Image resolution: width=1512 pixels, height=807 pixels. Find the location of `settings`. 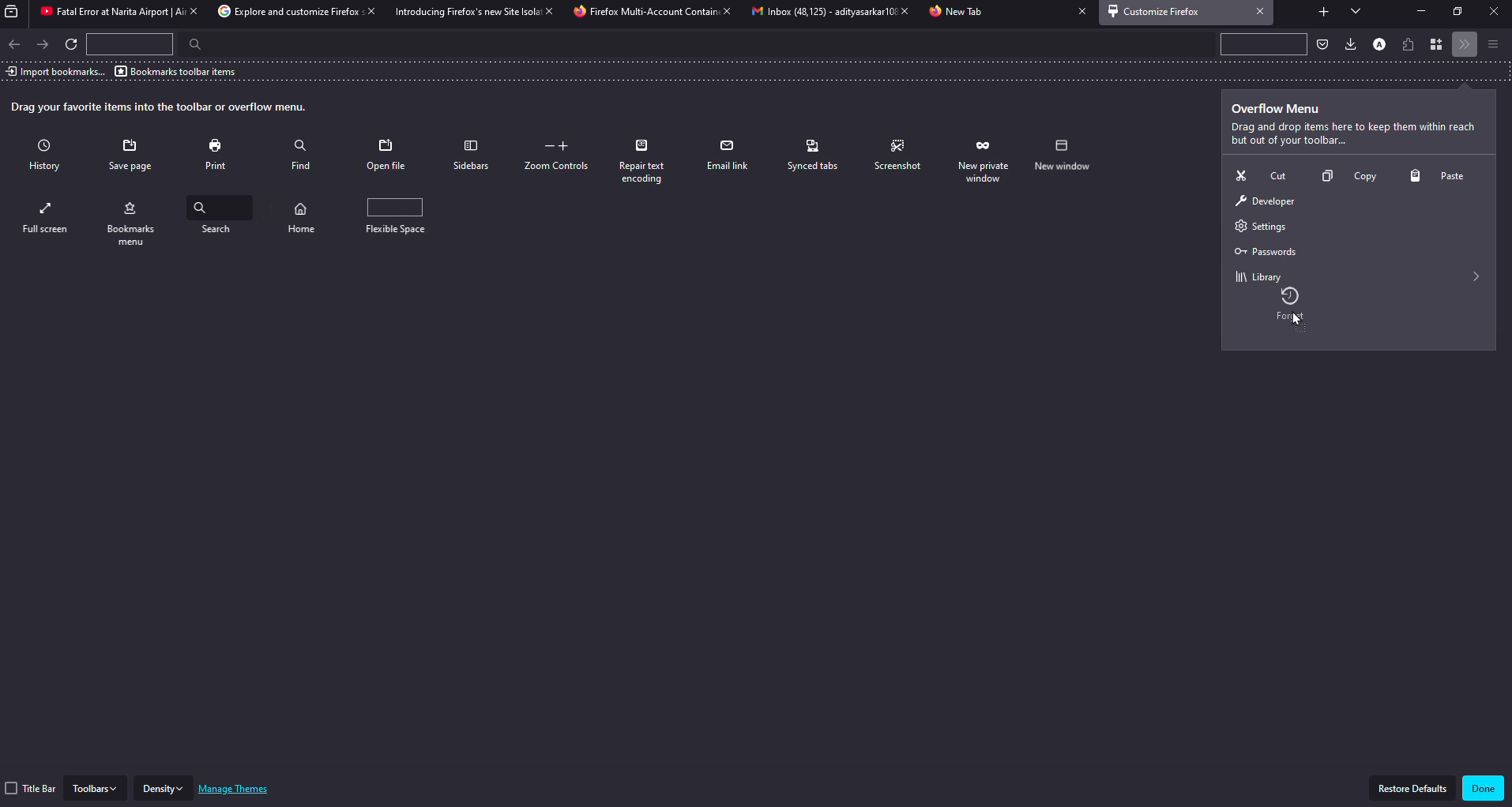

settings is located at coordinates (1257, 227).